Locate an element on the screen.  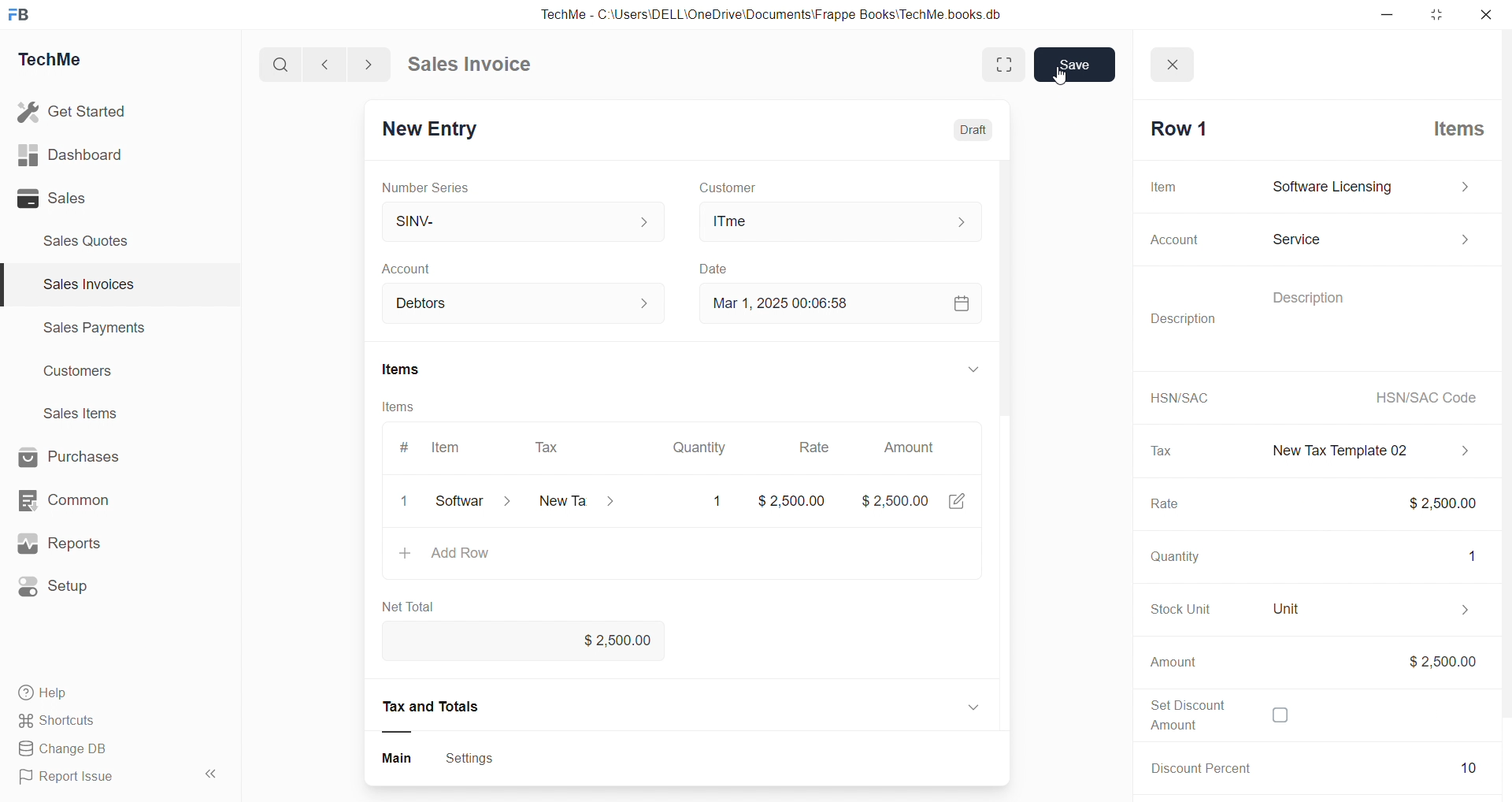
Settings is located at coordinates (476, 757).